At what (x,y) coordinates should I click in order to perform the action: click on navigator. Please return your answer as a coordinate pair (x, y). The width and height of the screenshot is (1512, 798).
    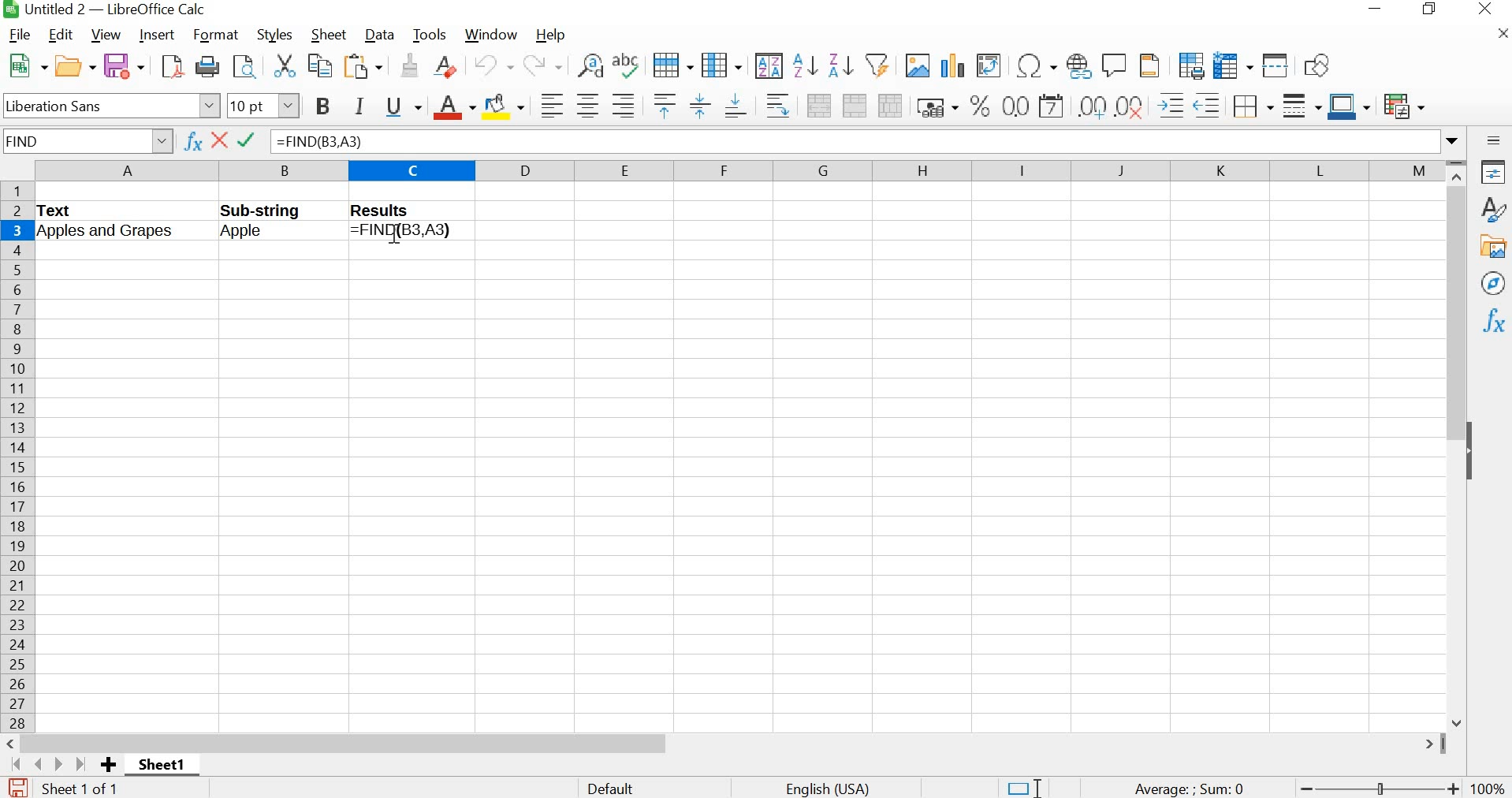
    Looking at the image, I should click on (1495, 285).